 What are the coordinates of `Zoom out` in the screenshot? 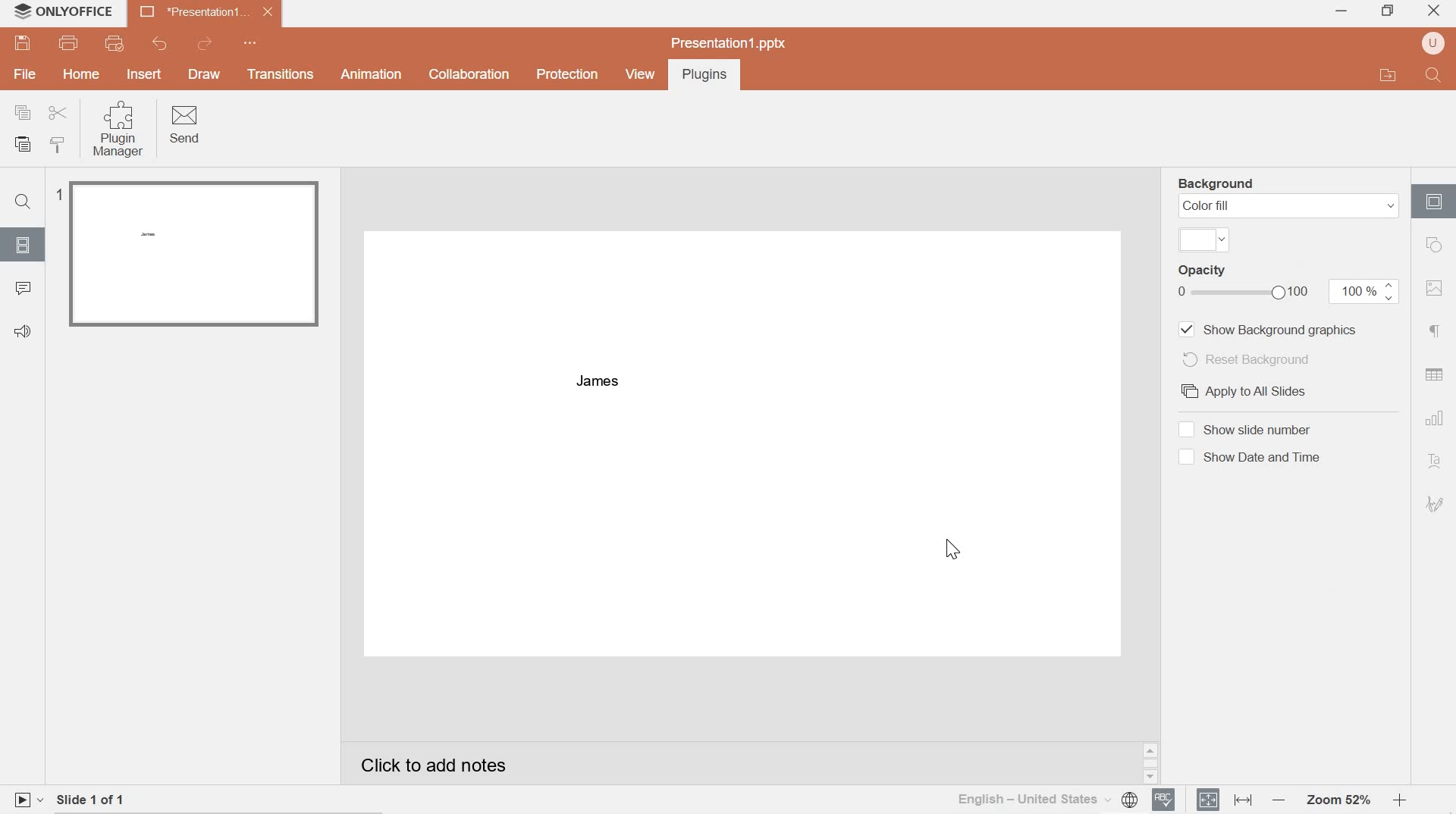 It's located at (1278, 800).